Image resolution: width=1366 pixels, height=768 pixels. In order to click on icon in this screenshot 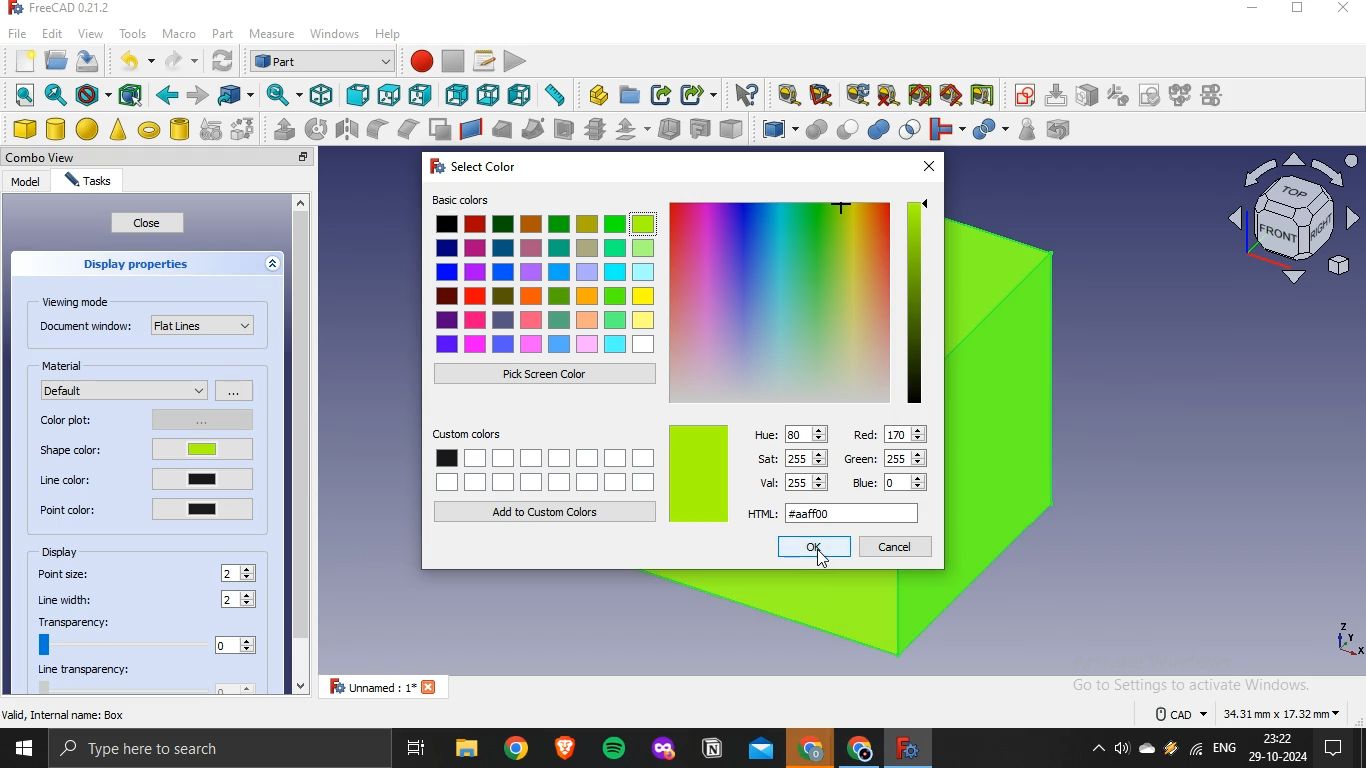, I will do `click(1118, 94)`.